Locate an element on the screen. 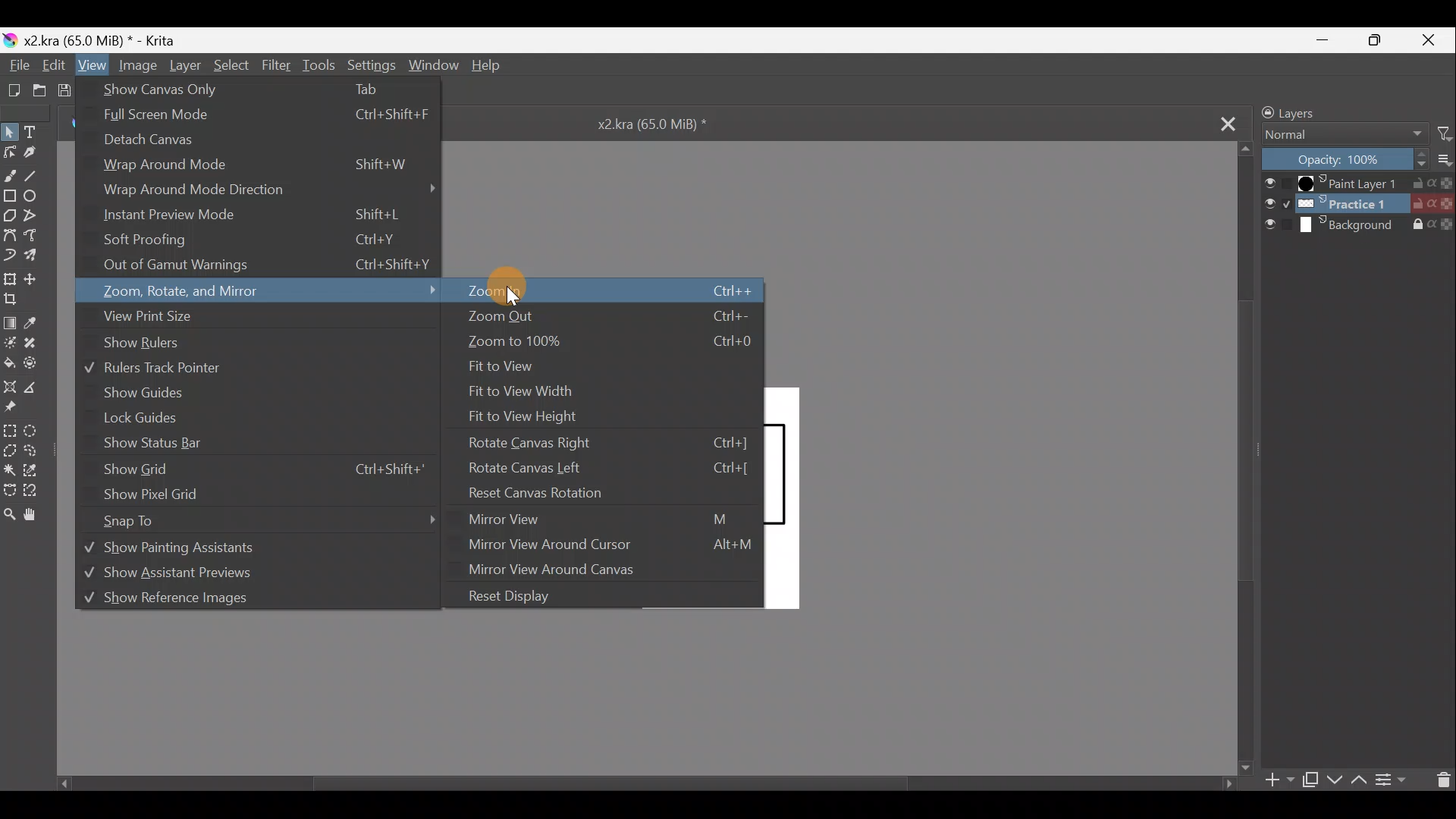  Fill a contiguous area of colour with colour/fill a selection is located at coordinates (9, 363).